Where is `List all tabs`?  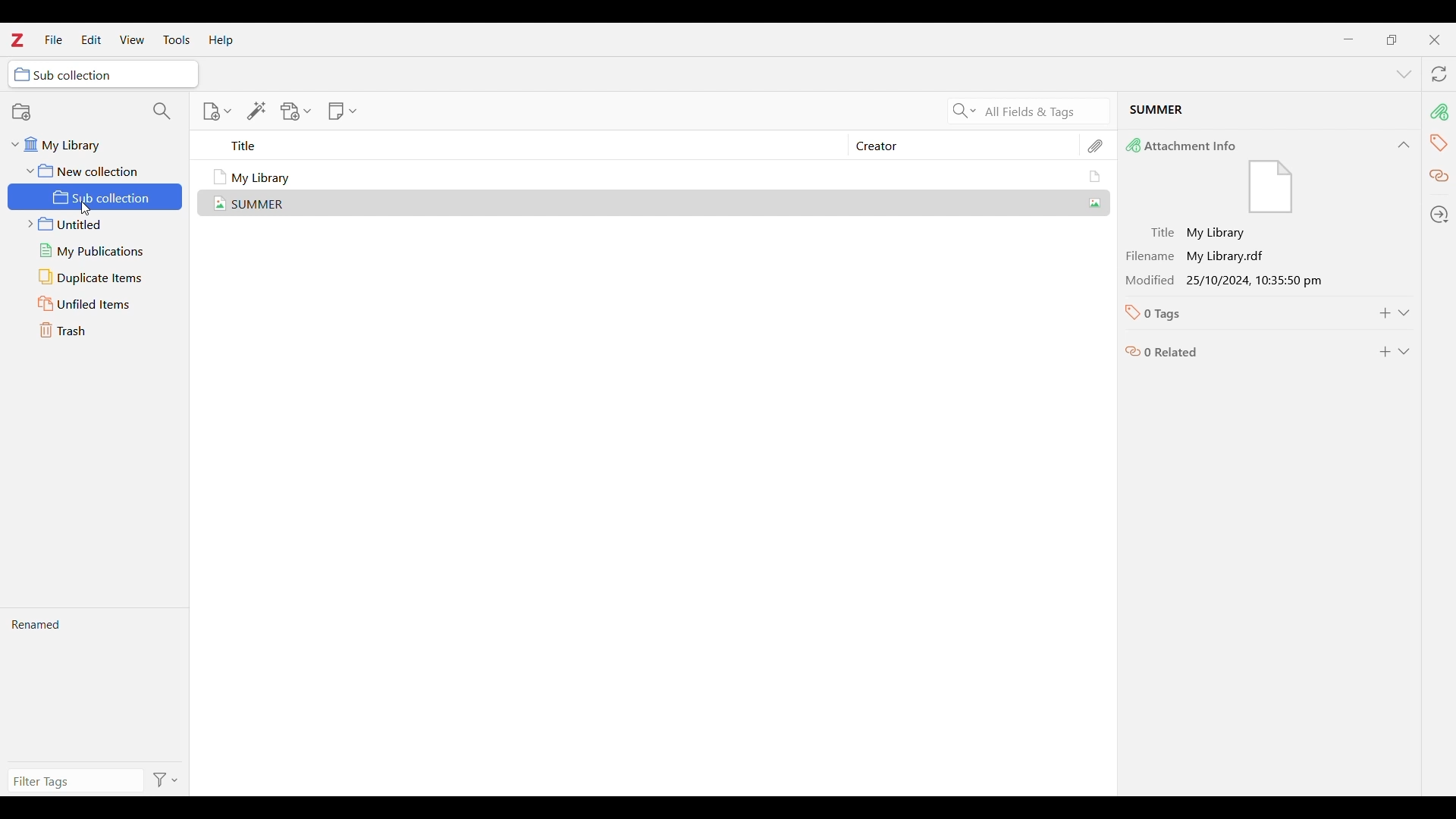
List all tabs is located at coordinates (1404, 74).